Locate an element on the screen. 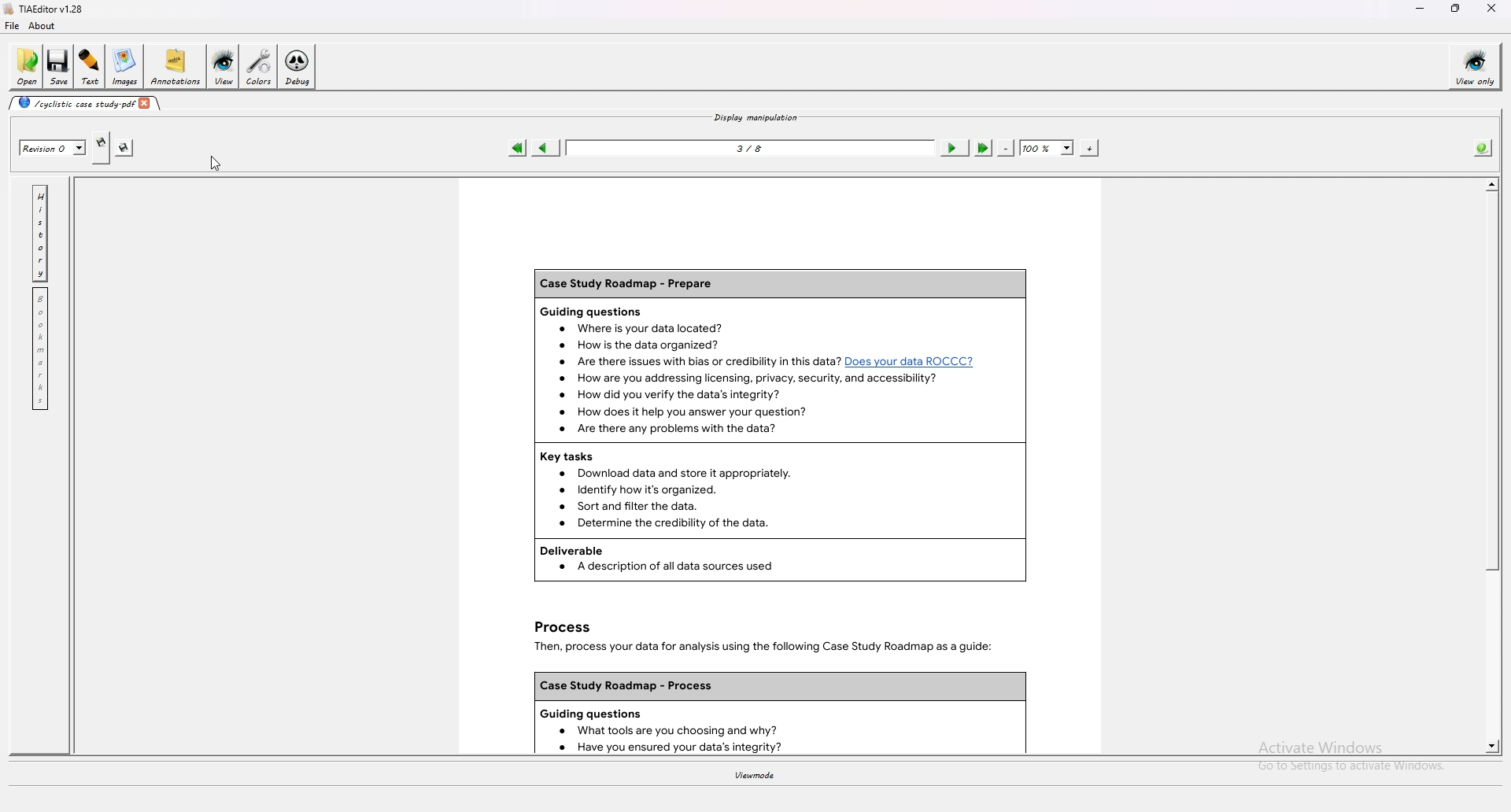 This screenshot has height=812, width=1511. text is located at coordinates (91, 66).